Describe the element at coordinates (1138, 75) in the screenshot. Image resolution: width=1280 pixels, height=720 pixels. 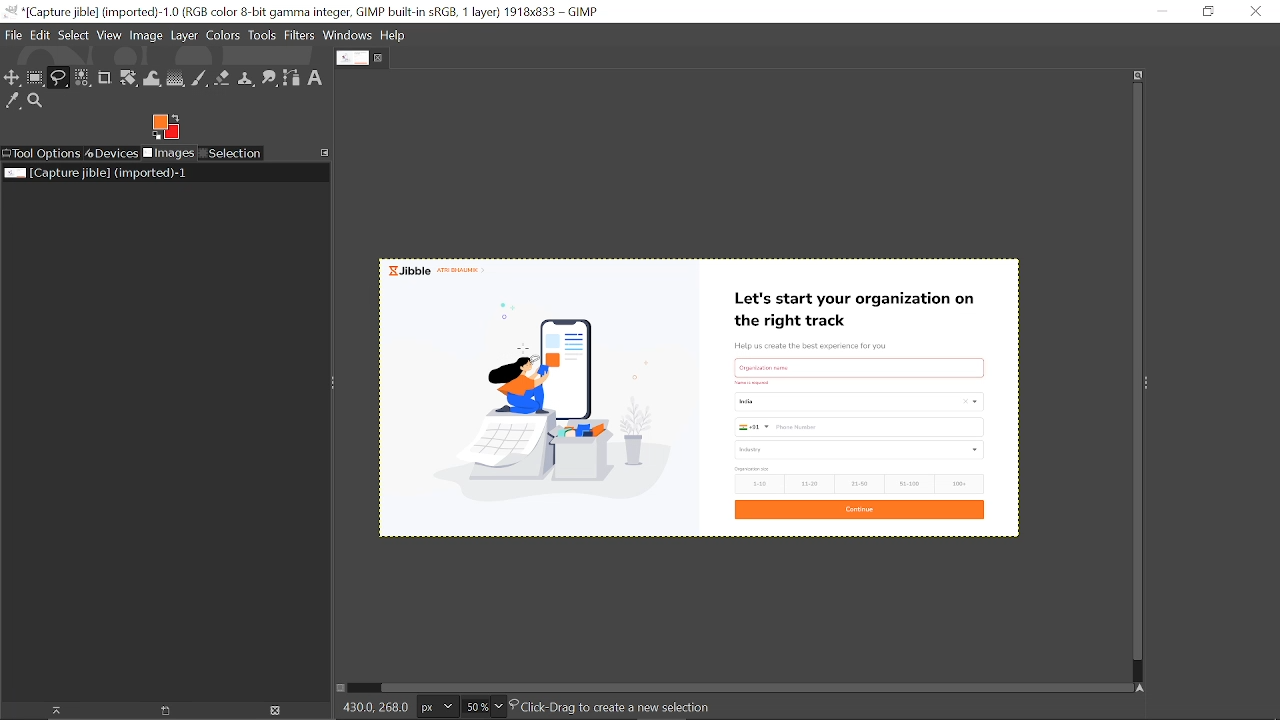
I see `Zoom when widow size changes` at that location.